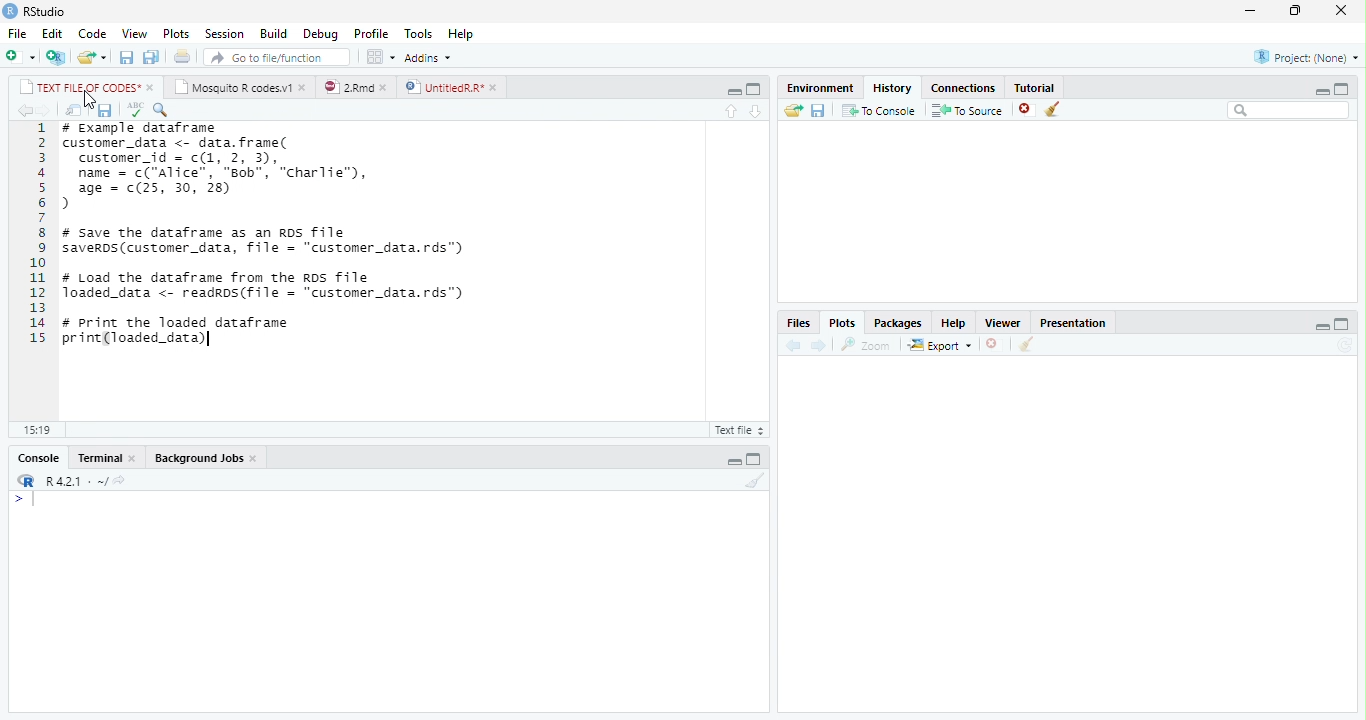 This screenshot has width=1366, height=720. What do you see at coordinates (1028, 109) in the screenshot?
I see `close file` at bounding box center [1028, 109].